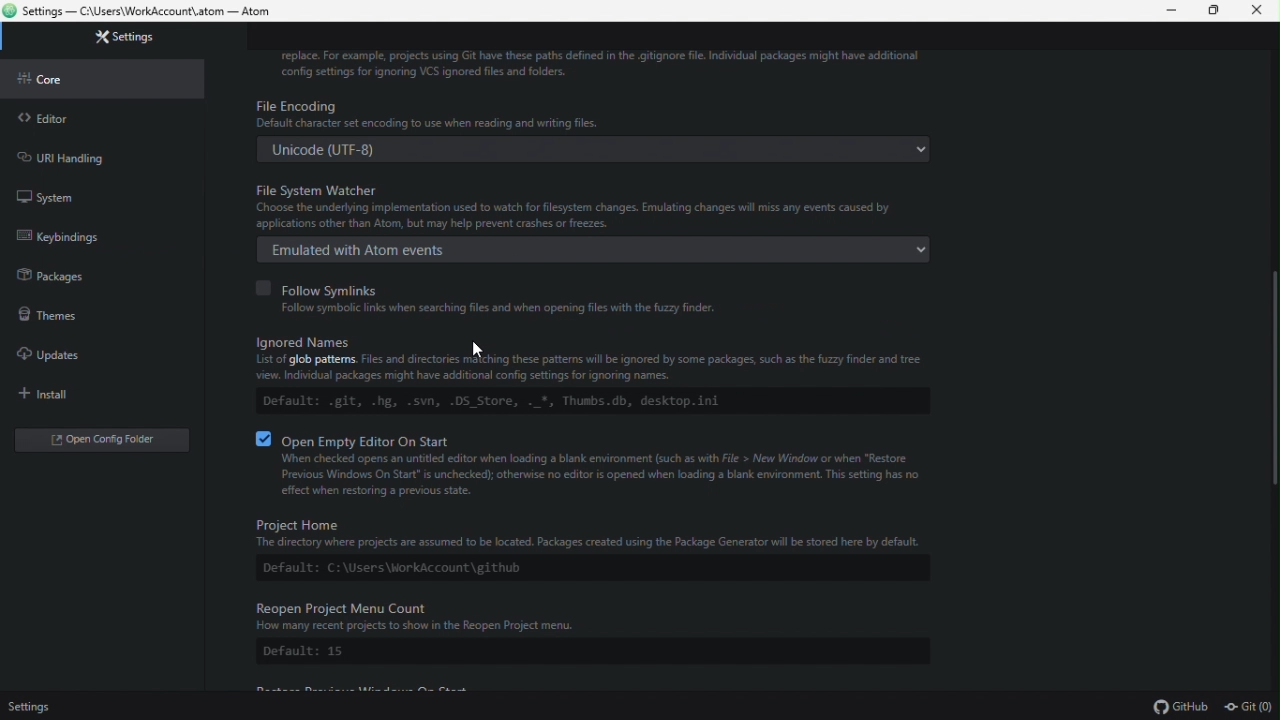 This screenshot has height=720, width=1280. Describe the element at coordinates (595, 205) in the screenshot. I see `File System Watcher Choose the underlying implementation used to watch for file system changes. Emulating changes will miss any events caused by applications other than Atom, but may help prevent crashes or freezes.` at that location.